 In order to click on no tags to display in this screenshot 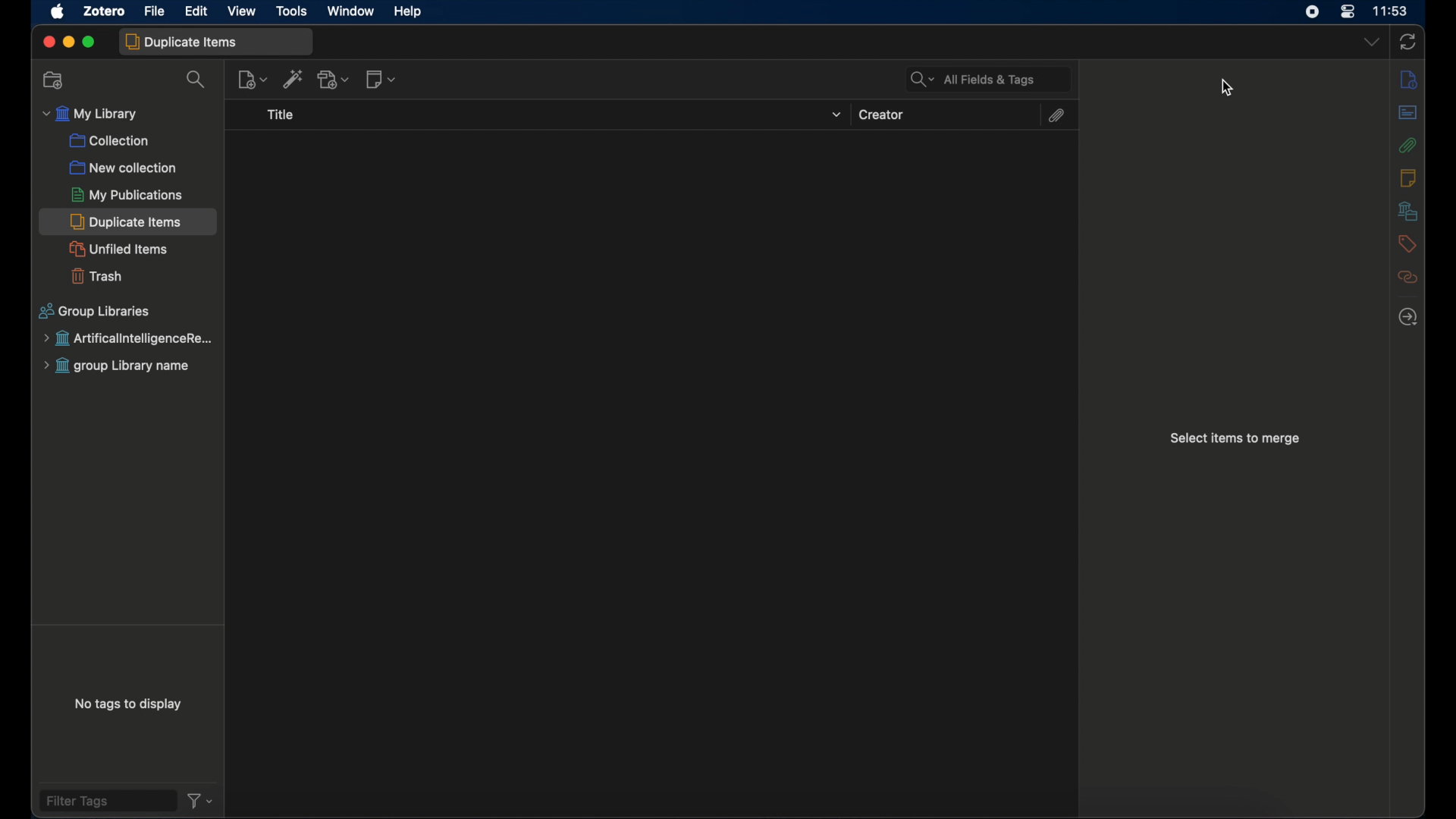, I will do `click(131, 705)`.